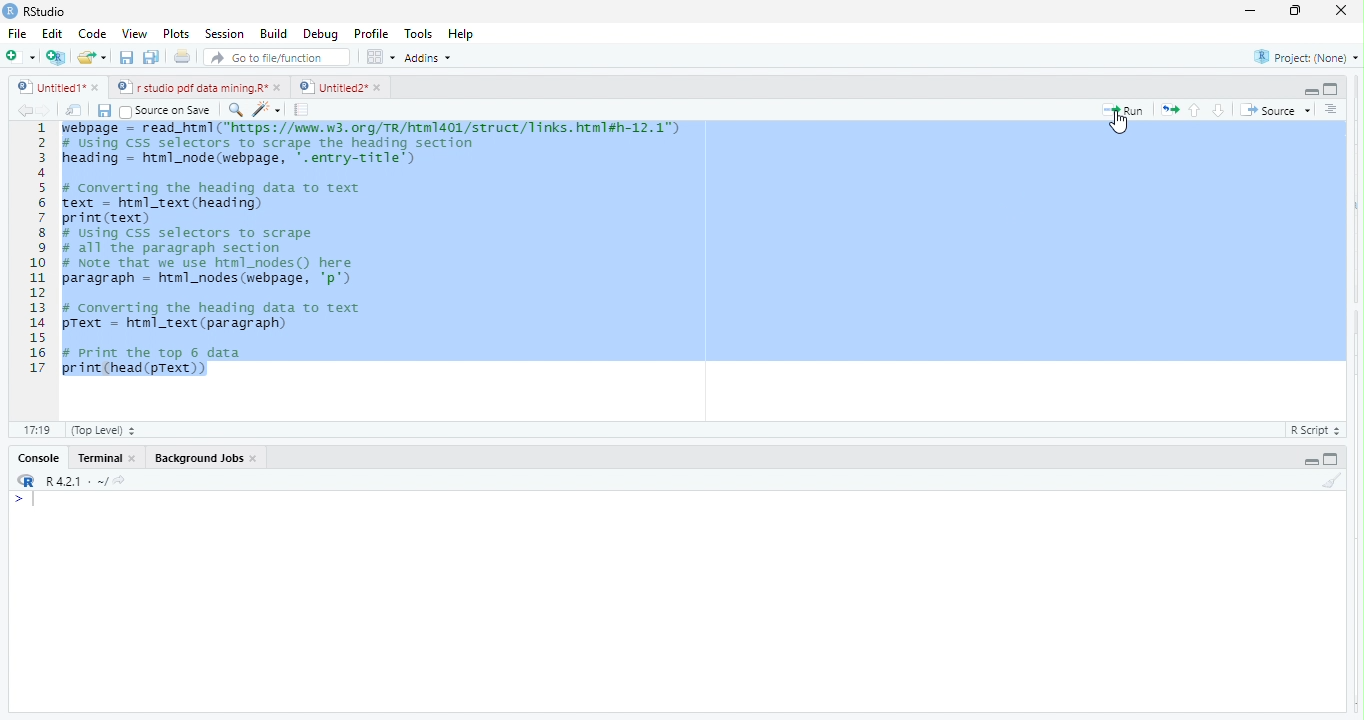 The width and height of the screenshot is (1364, 720). What do you see at coordinates (137, 460) in the screenshot?
I see `close` at bounding box center [137, 460].